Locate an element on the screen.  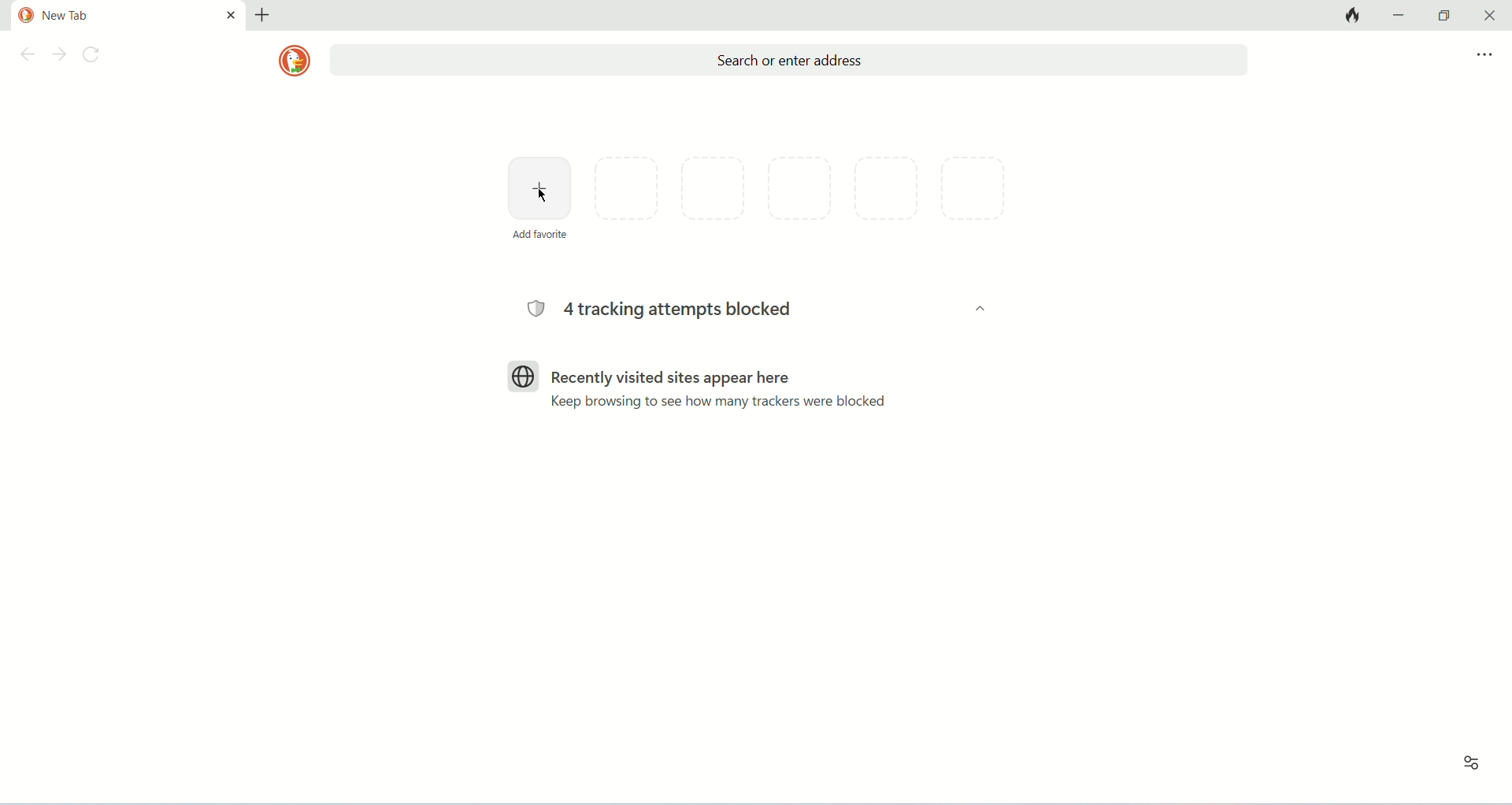
cursor is located at coordinates (543, 196).